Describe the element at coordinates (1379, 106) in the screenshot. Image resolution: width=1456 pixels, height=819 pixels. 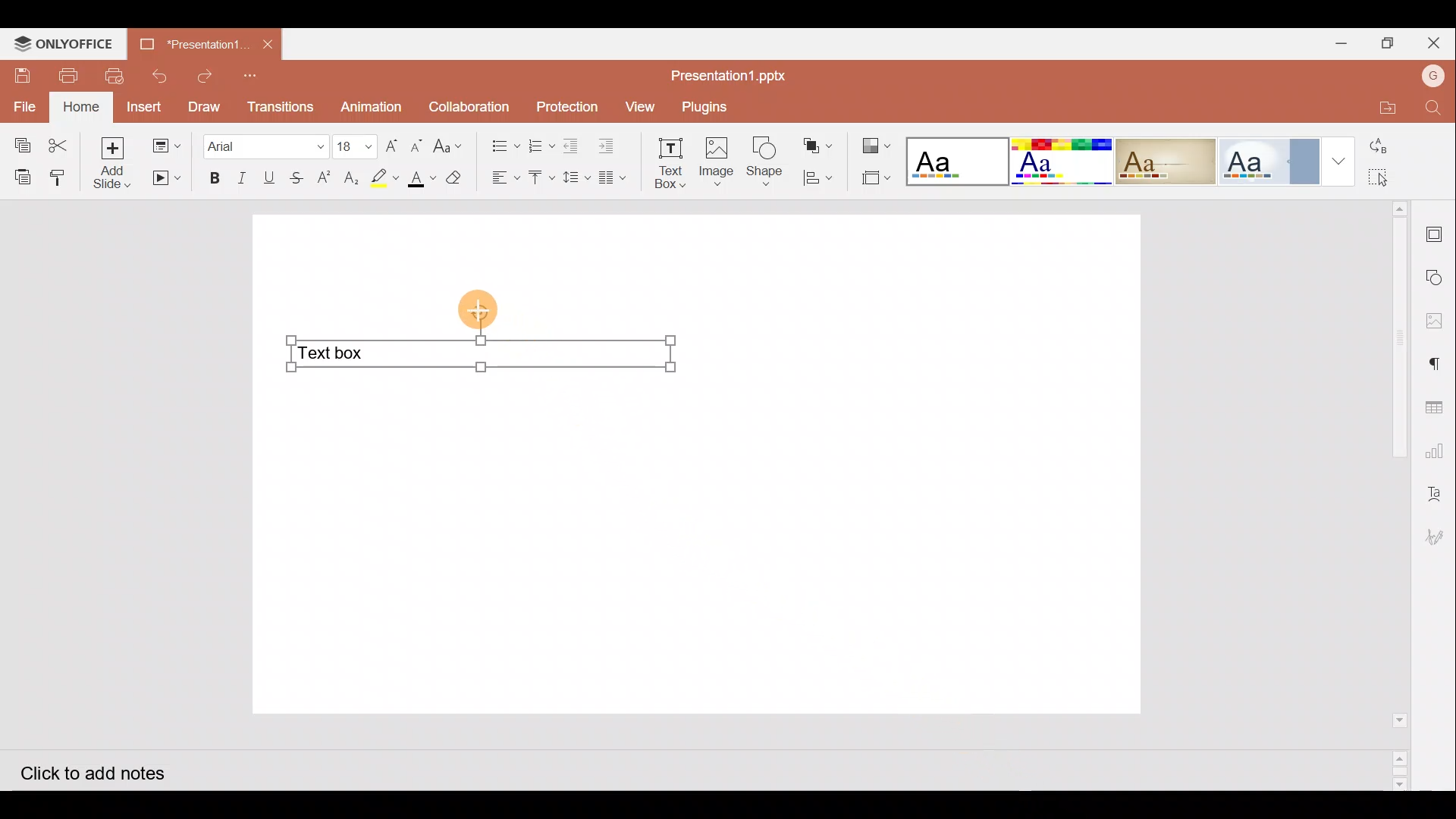
I see `Open file location` at that location.